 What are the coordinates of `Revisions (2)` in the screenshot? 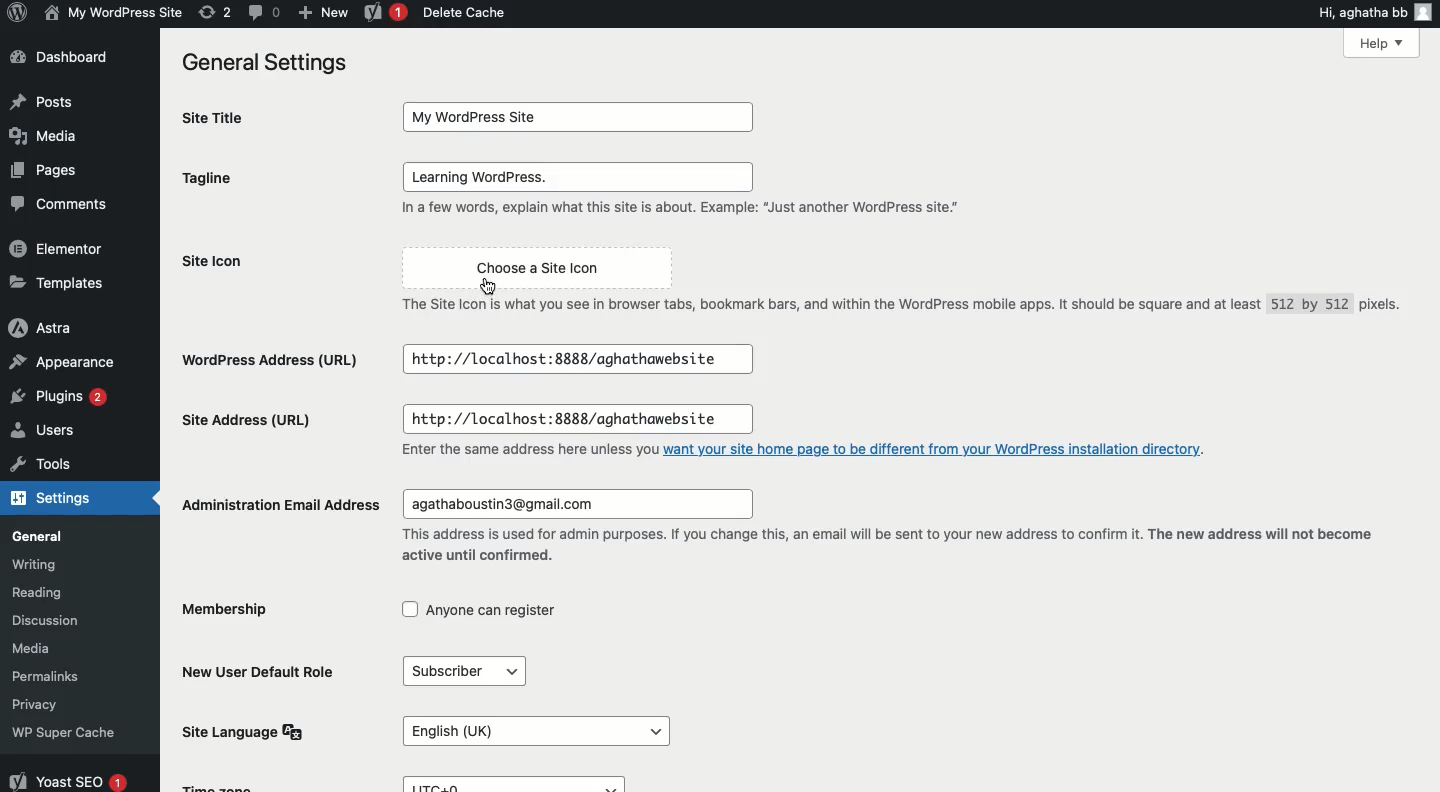 It's located at (215, 12).